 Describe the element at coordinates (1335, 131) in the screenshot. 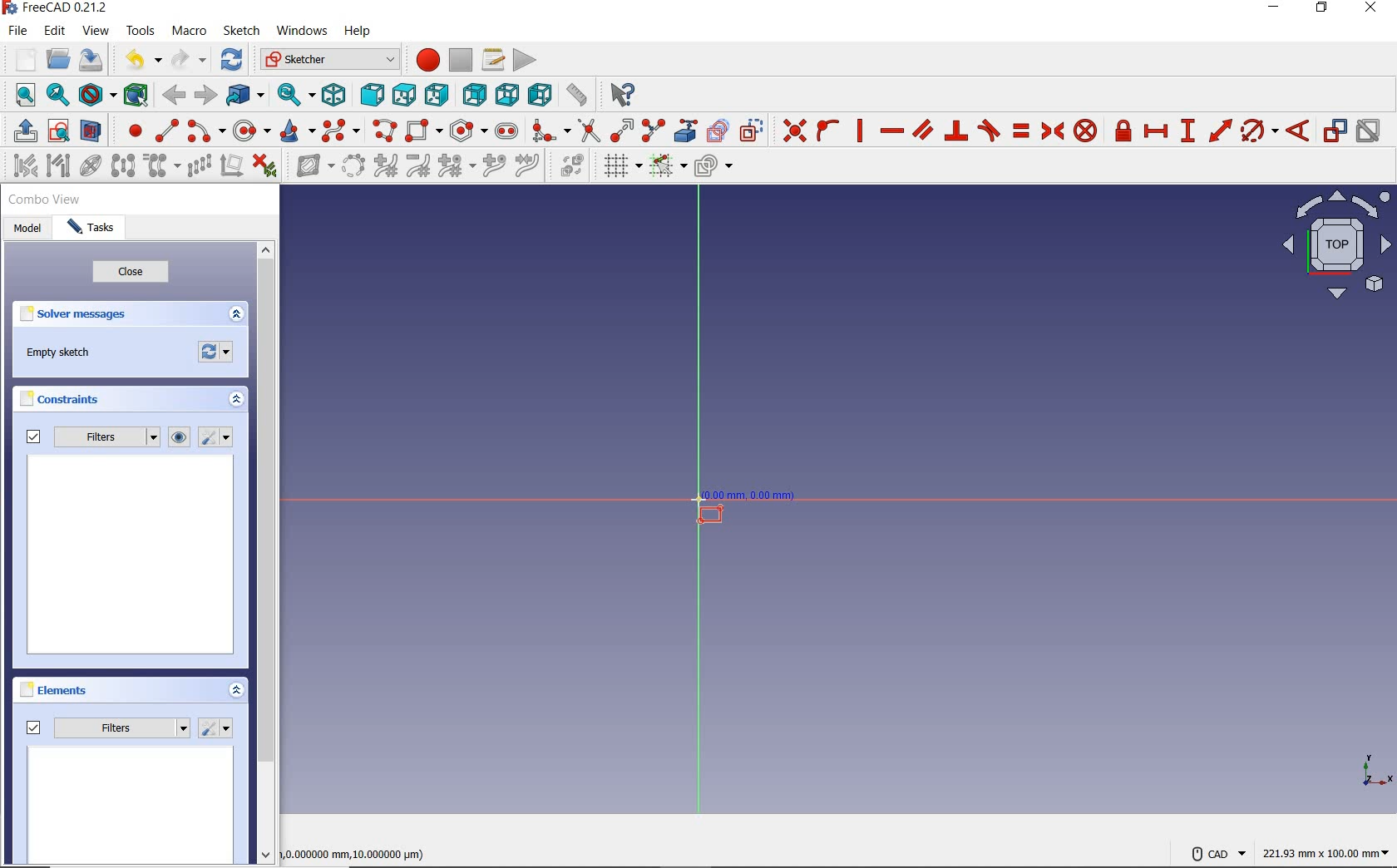

I see `toggle driving constraint` at that location.